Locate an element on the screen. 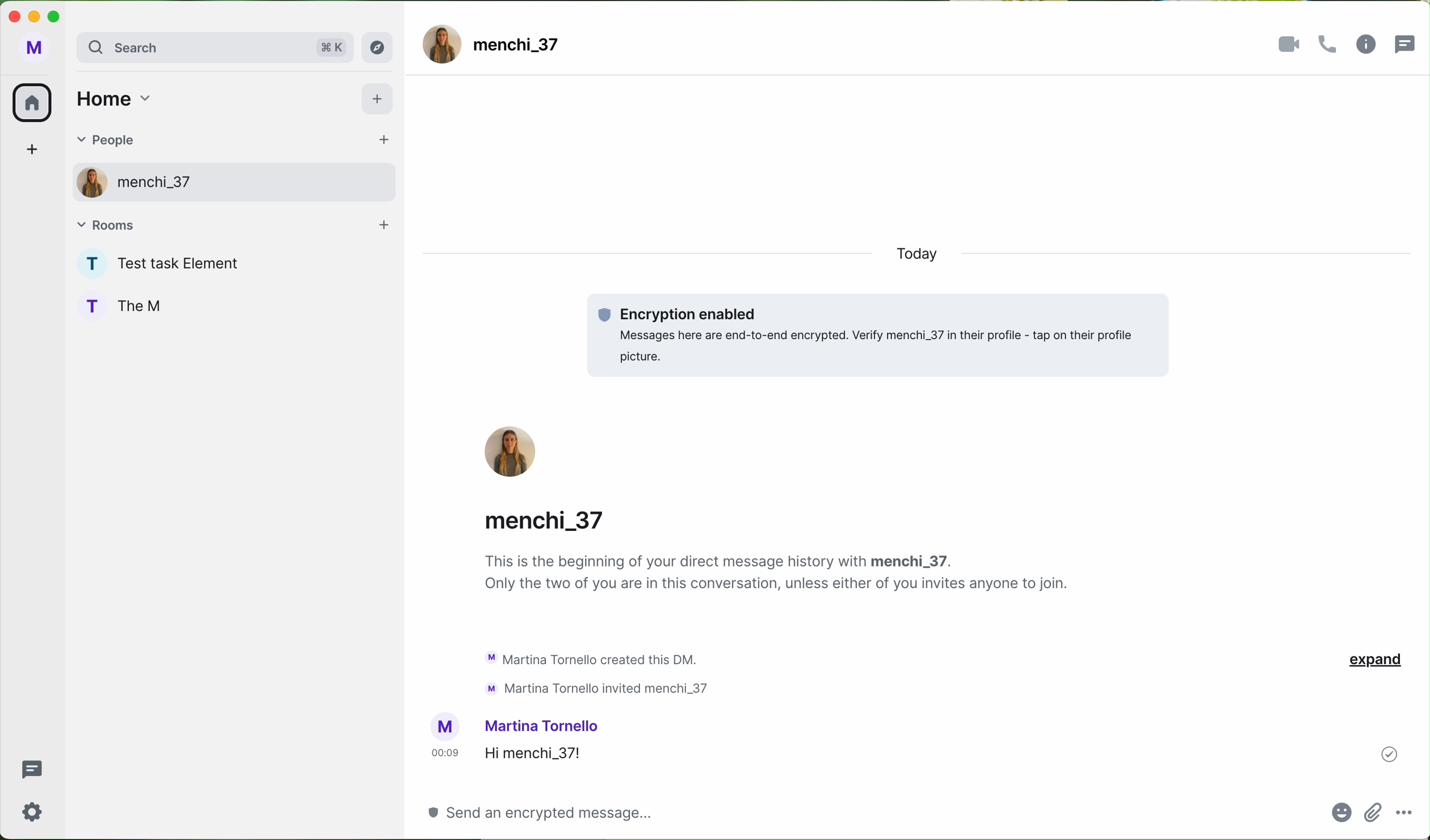 This screenshot has height=840, width=1430. add is located at coordinates (380, 101).